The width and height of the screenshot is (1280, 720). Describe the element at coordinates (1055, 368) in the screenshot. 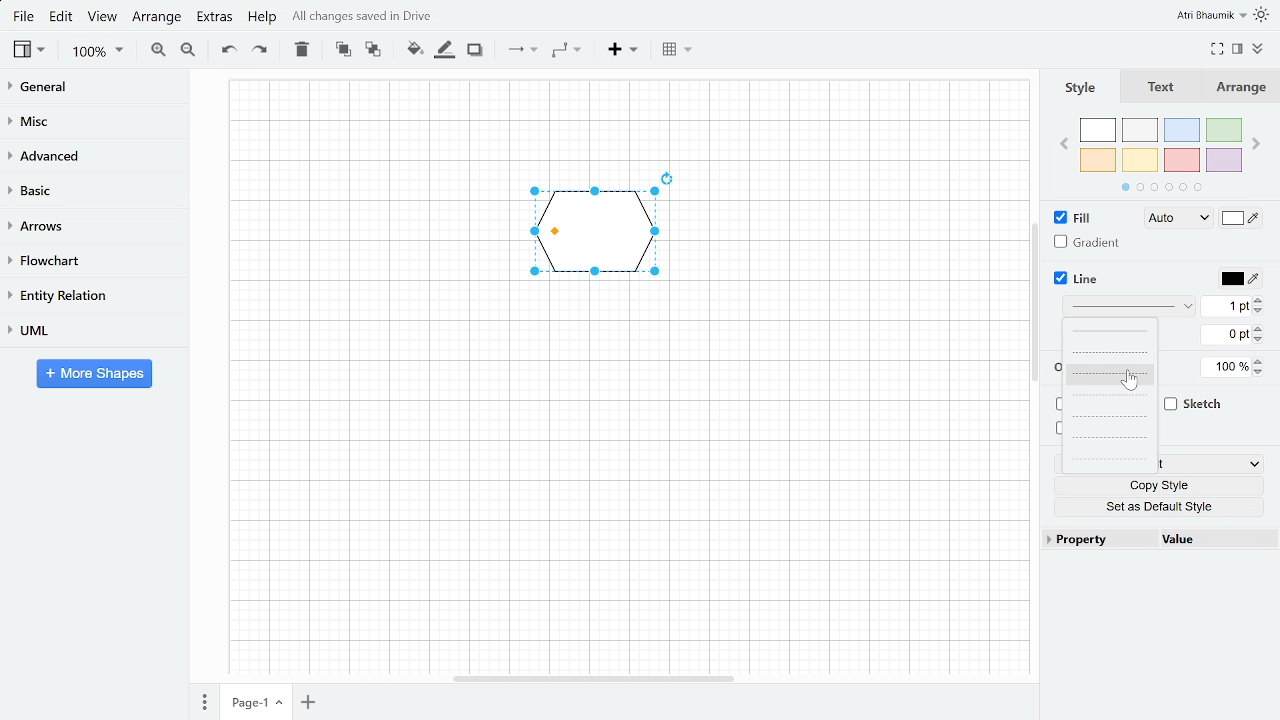

I see `Opacity` at that location.